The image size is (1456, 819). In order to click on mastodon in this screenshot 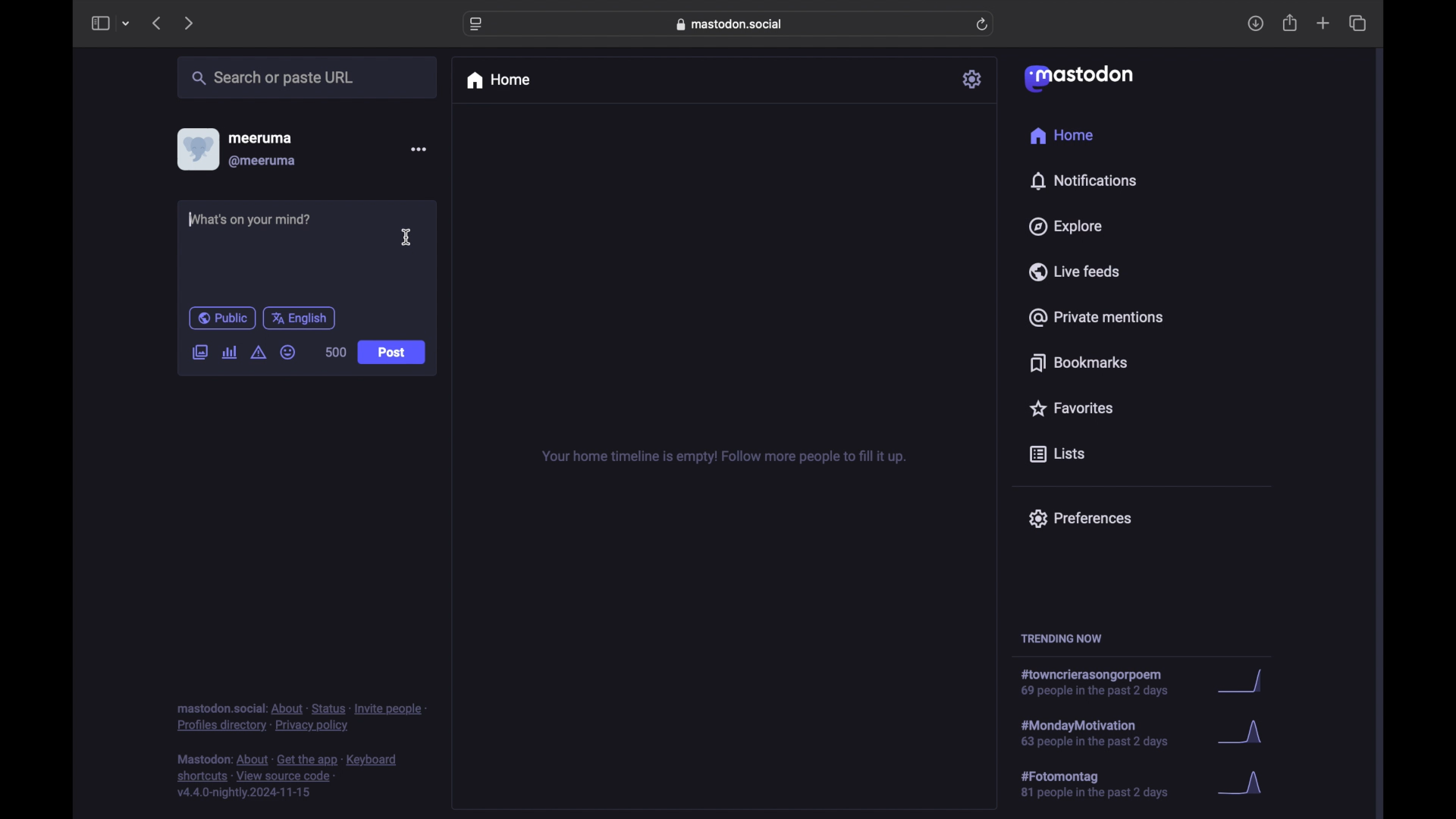, I will do `click(1077, 77)`.